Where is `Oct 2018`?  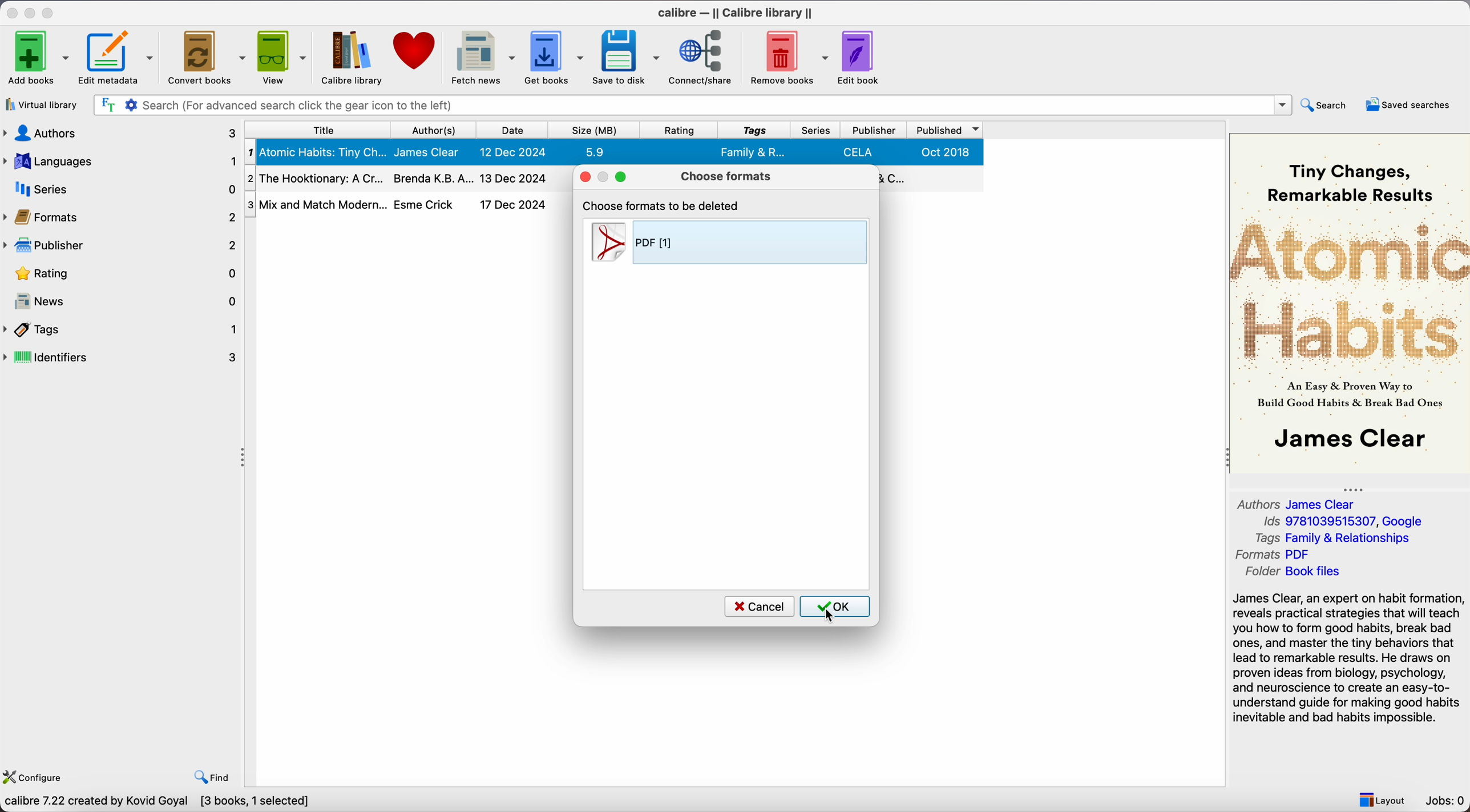 Oct 2018 is located at coordinates (948, 152).